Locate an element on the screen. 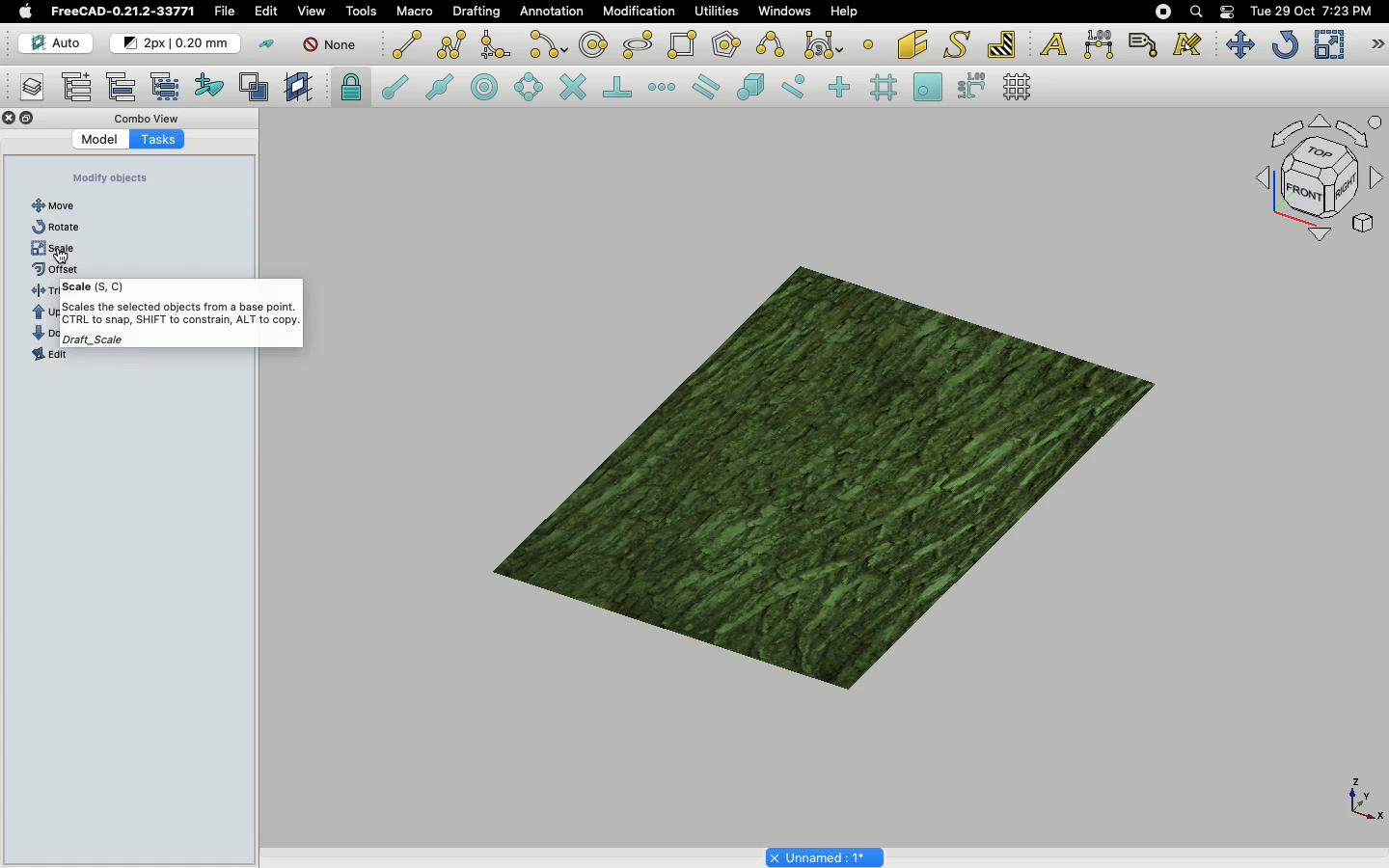 This screenshot has width=1389, height=868. Scale is located at coordinates (1327, 43).